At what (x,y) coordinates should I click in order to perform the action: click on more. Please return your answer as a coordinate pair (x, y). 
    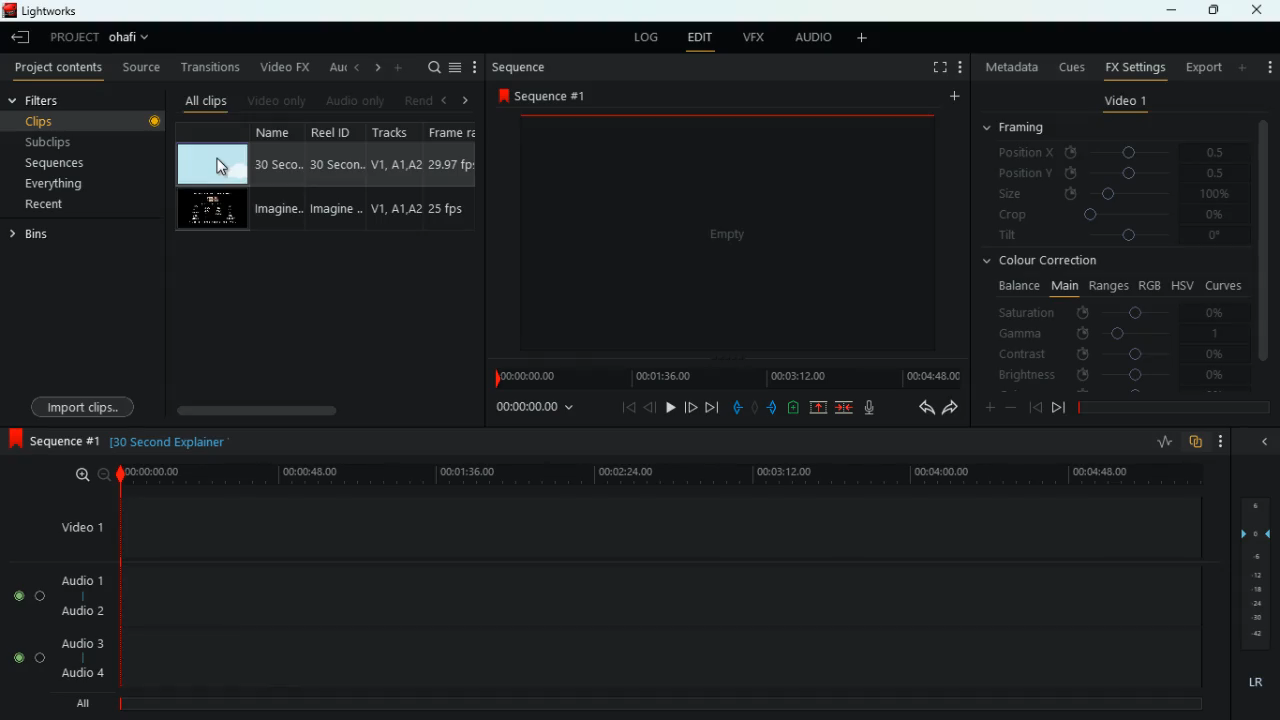
    Looking at the image, I should click on (988, 407).